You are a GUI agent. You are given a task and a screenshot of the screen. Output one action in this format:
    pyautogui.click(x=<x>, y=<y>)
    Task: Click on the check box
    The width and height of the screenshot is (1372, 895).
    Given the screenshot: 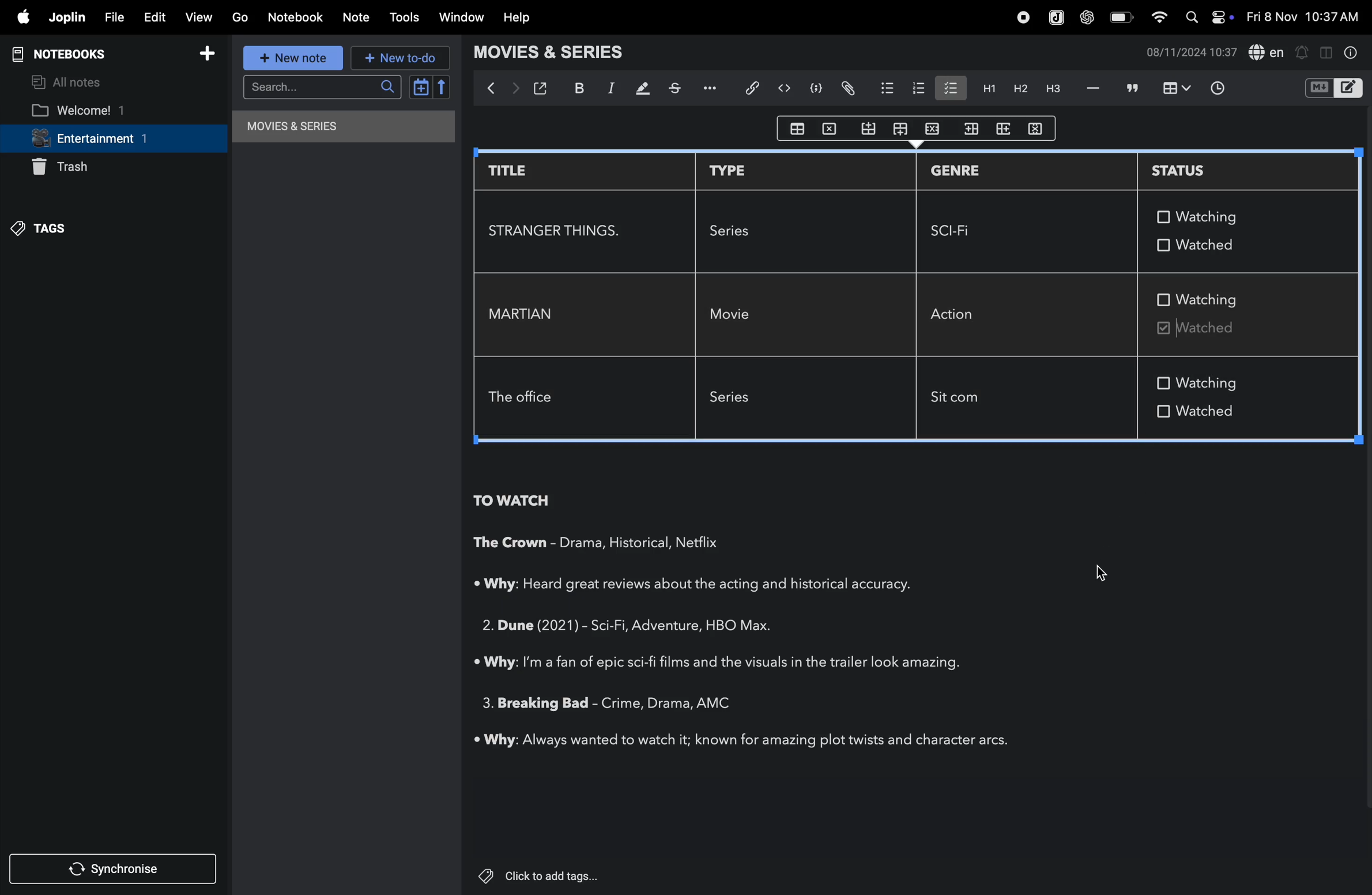 What is the action you would take?
    pyautogui.click(x=1160, y=244)
    